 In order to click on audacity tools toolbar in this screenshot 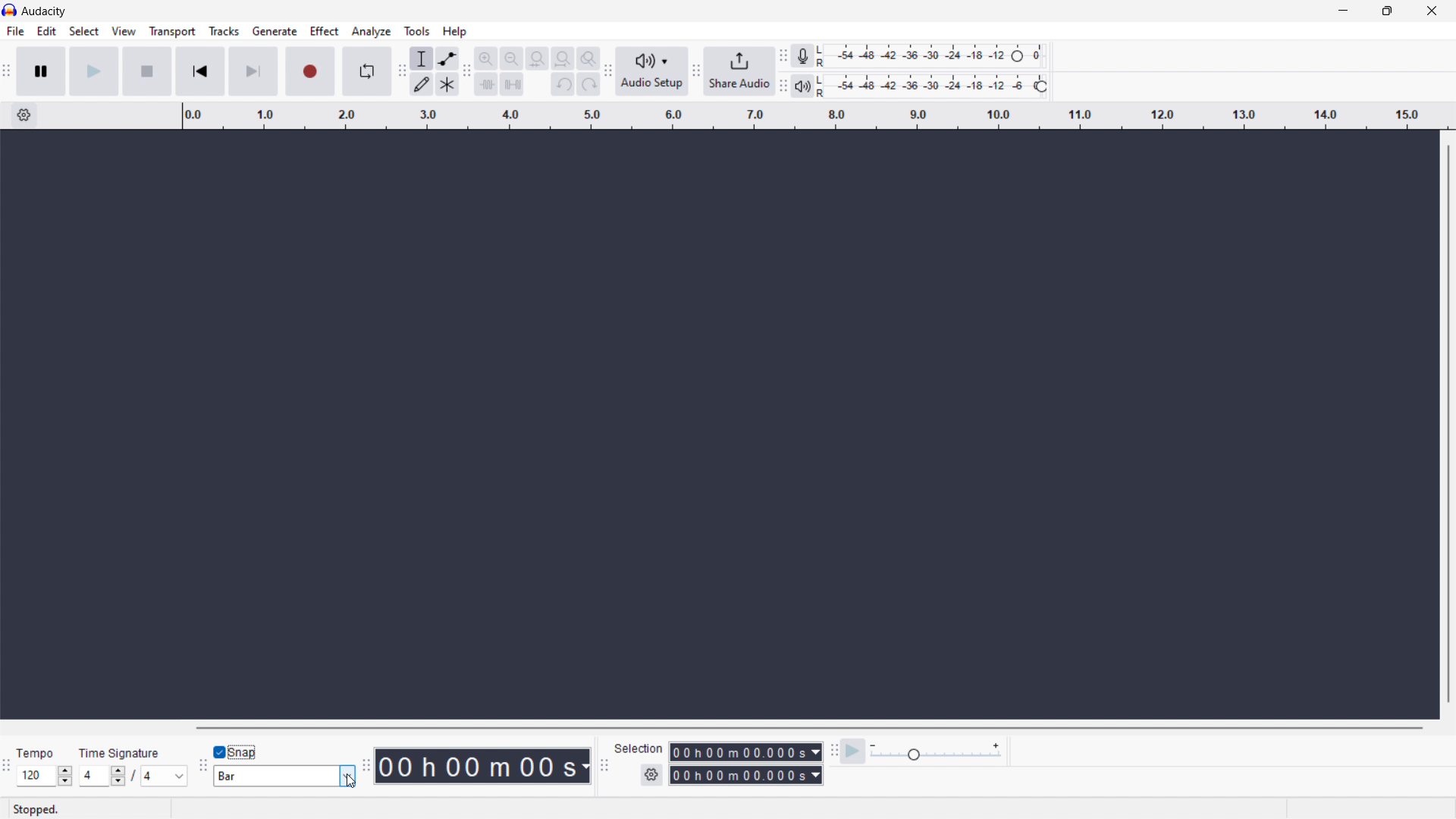, I will do `click(400, 72)`.